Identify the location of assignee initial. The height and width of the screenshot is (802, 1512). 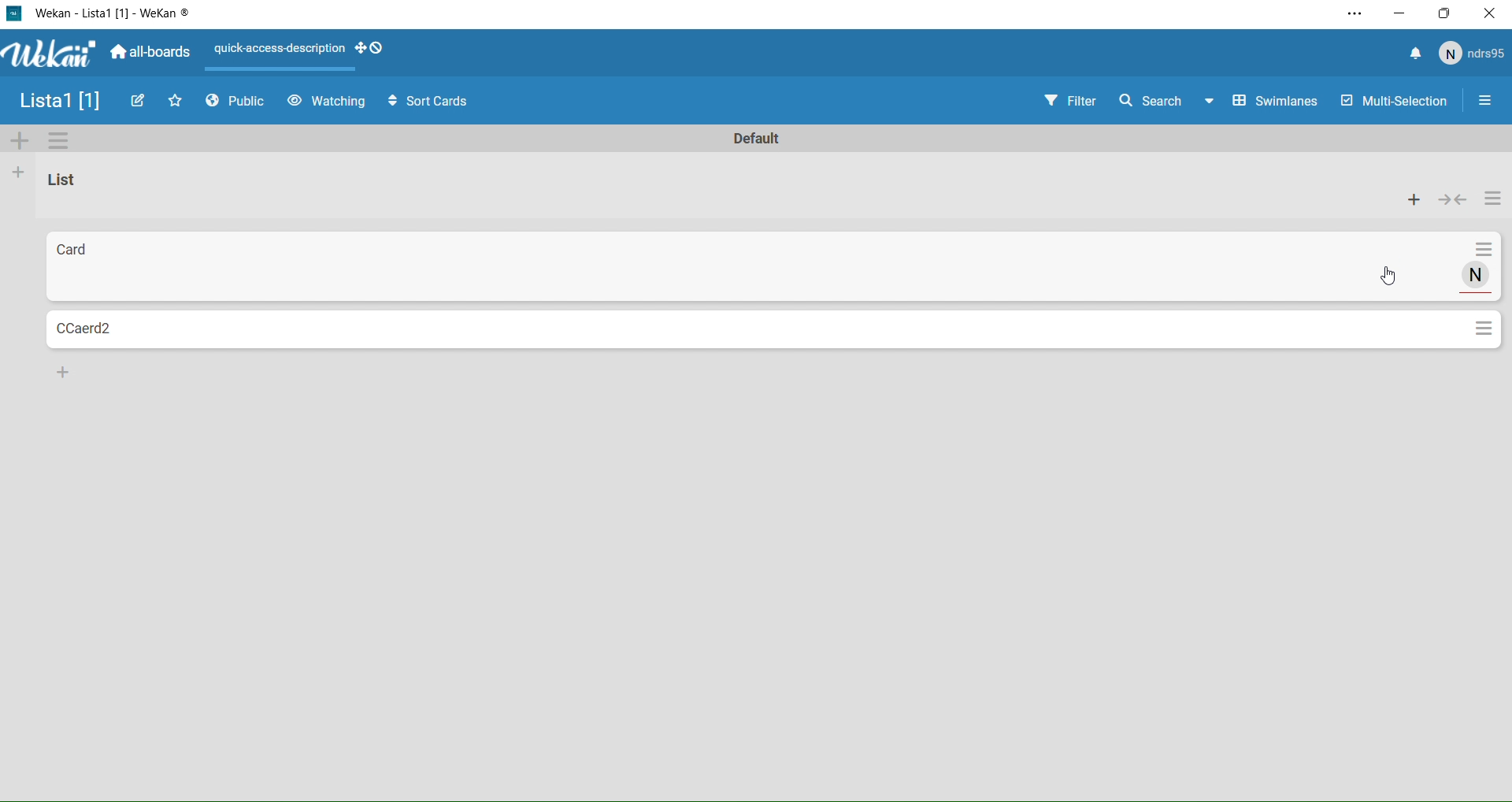
(1478, 276).